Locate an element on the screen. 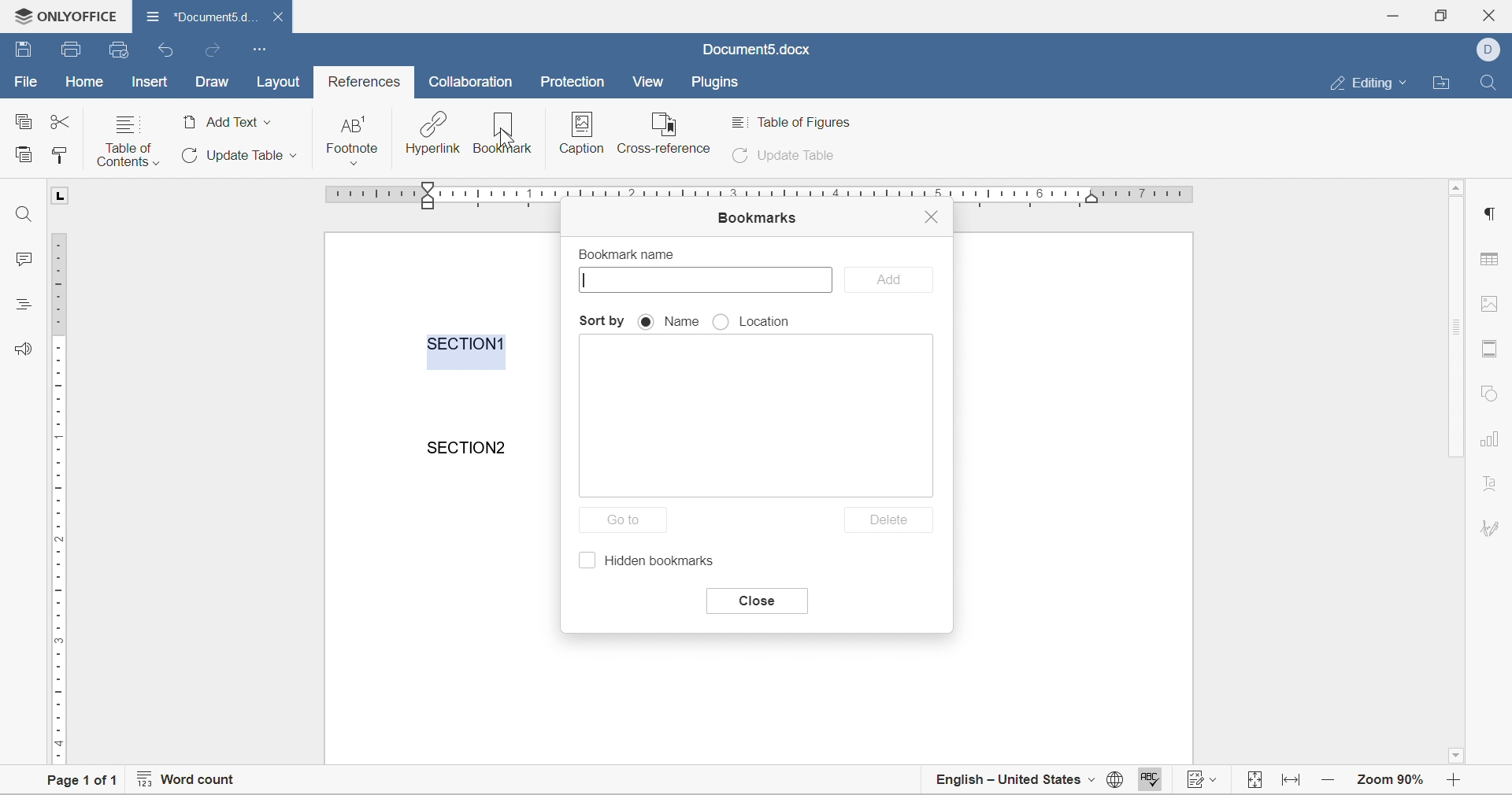  close is located at coordinates (281, 17).